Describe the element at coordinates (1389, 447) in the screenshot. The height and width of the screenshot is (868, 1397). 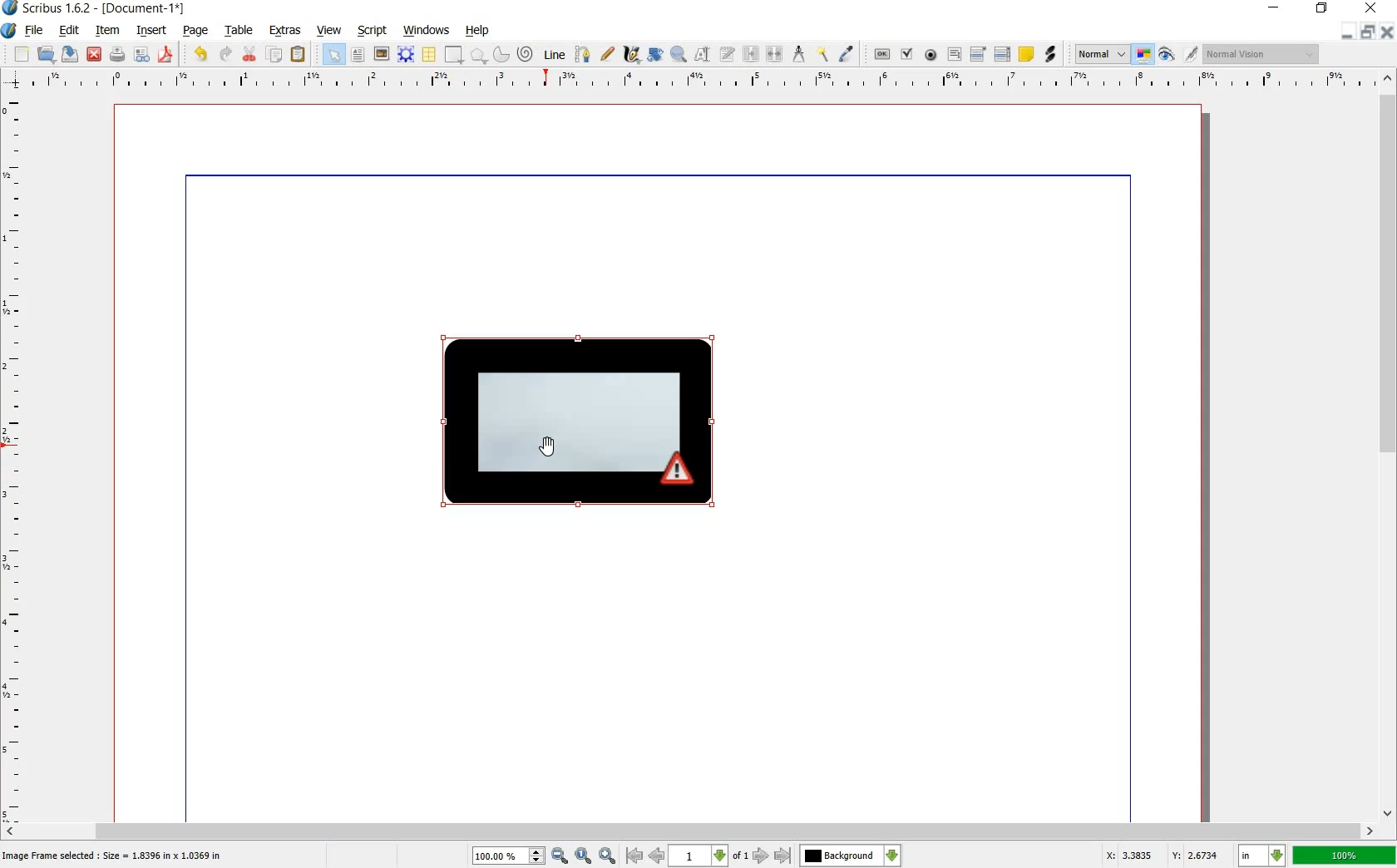
I see `scrollbar` at that location.